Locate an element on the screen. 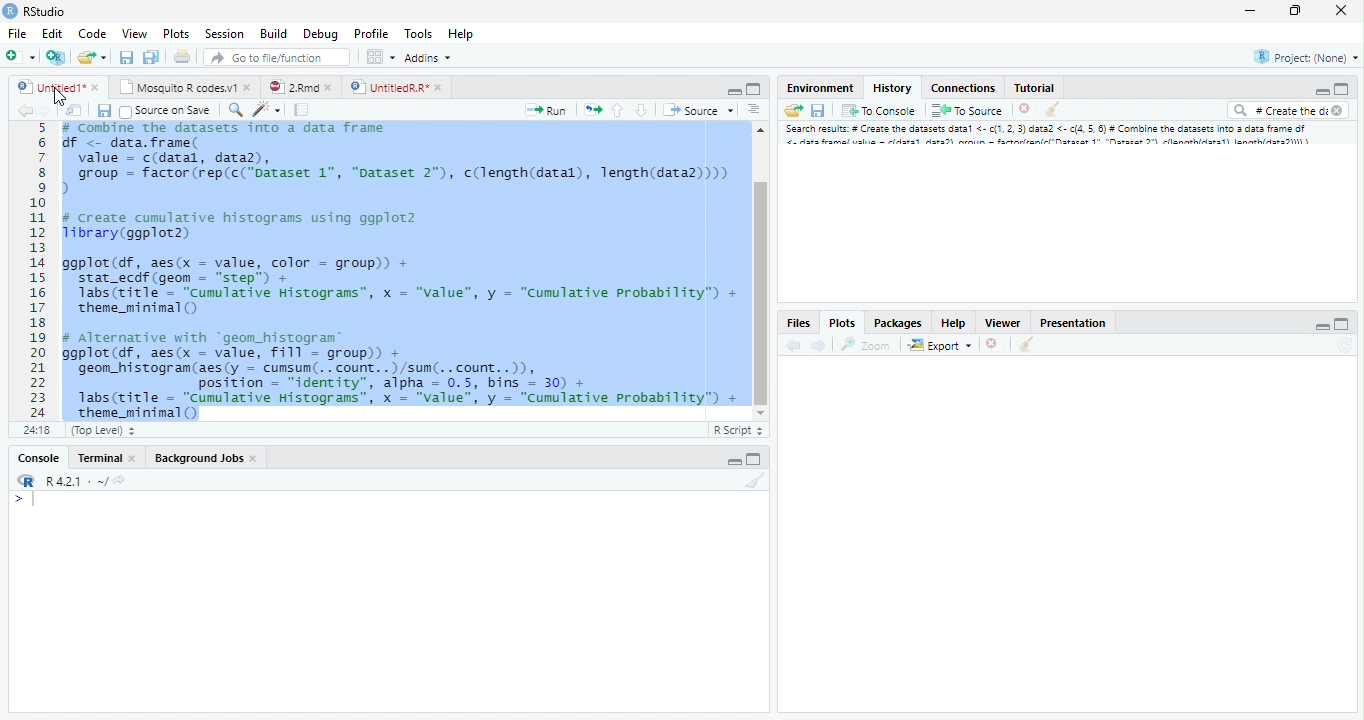 The width and height of the screenshot is (1364, 720). R.4.2.1 is located at coordinates (65, 481).